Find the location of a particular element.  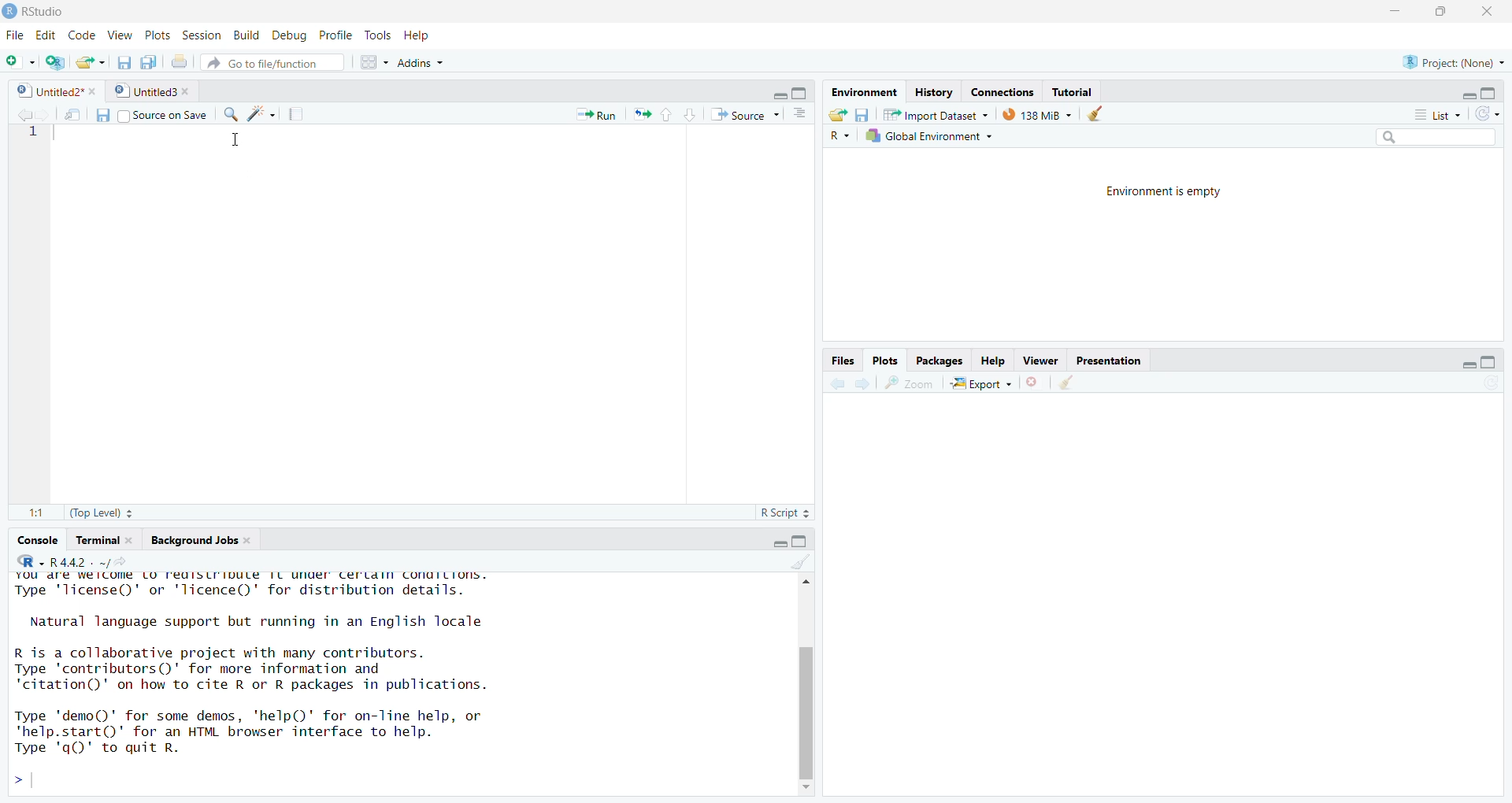

 is located at coordinates (74, 114).